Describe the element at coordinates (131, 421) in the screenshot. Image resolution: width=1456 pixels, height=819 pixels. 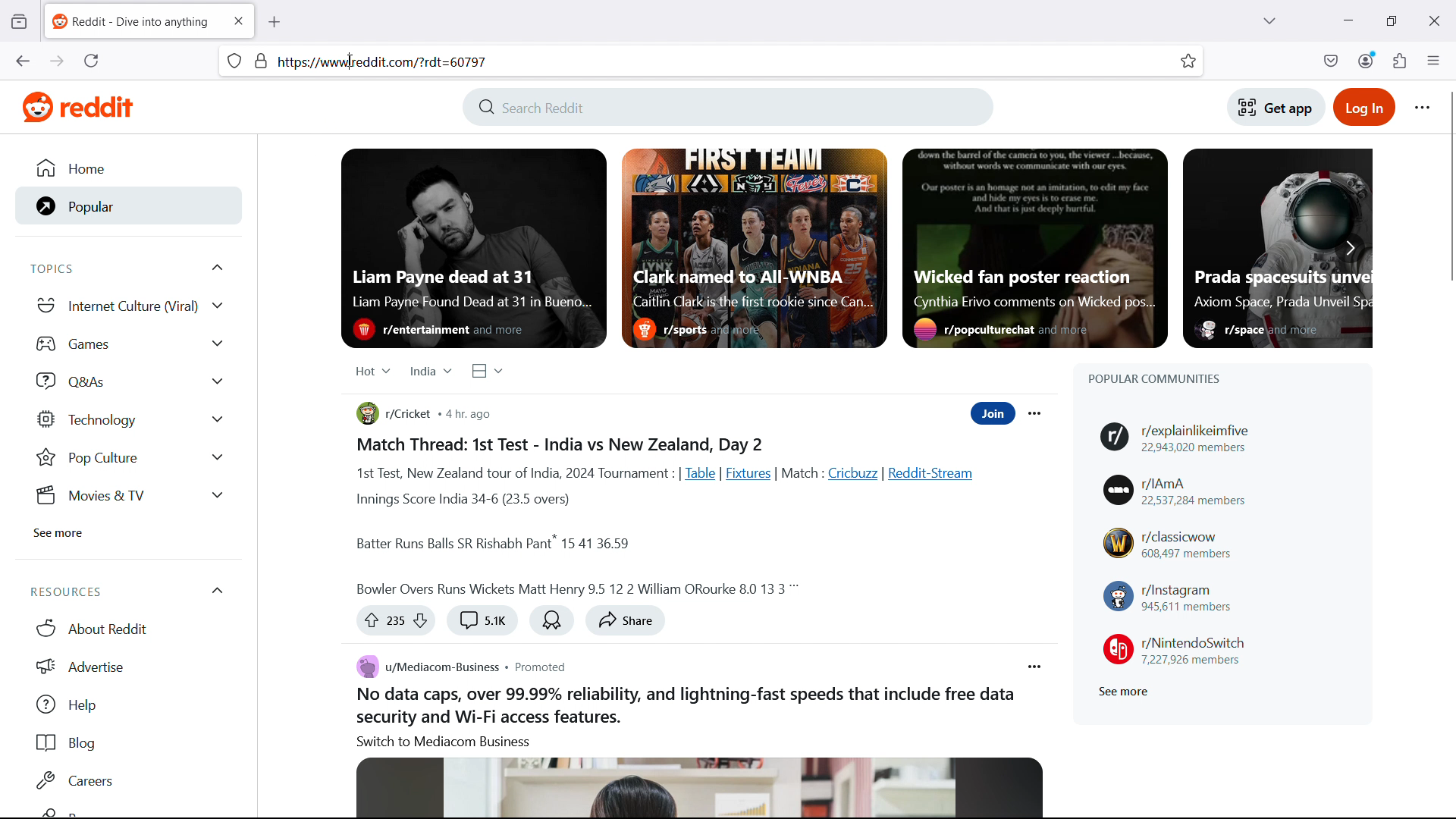
I see `Technology` at that location.